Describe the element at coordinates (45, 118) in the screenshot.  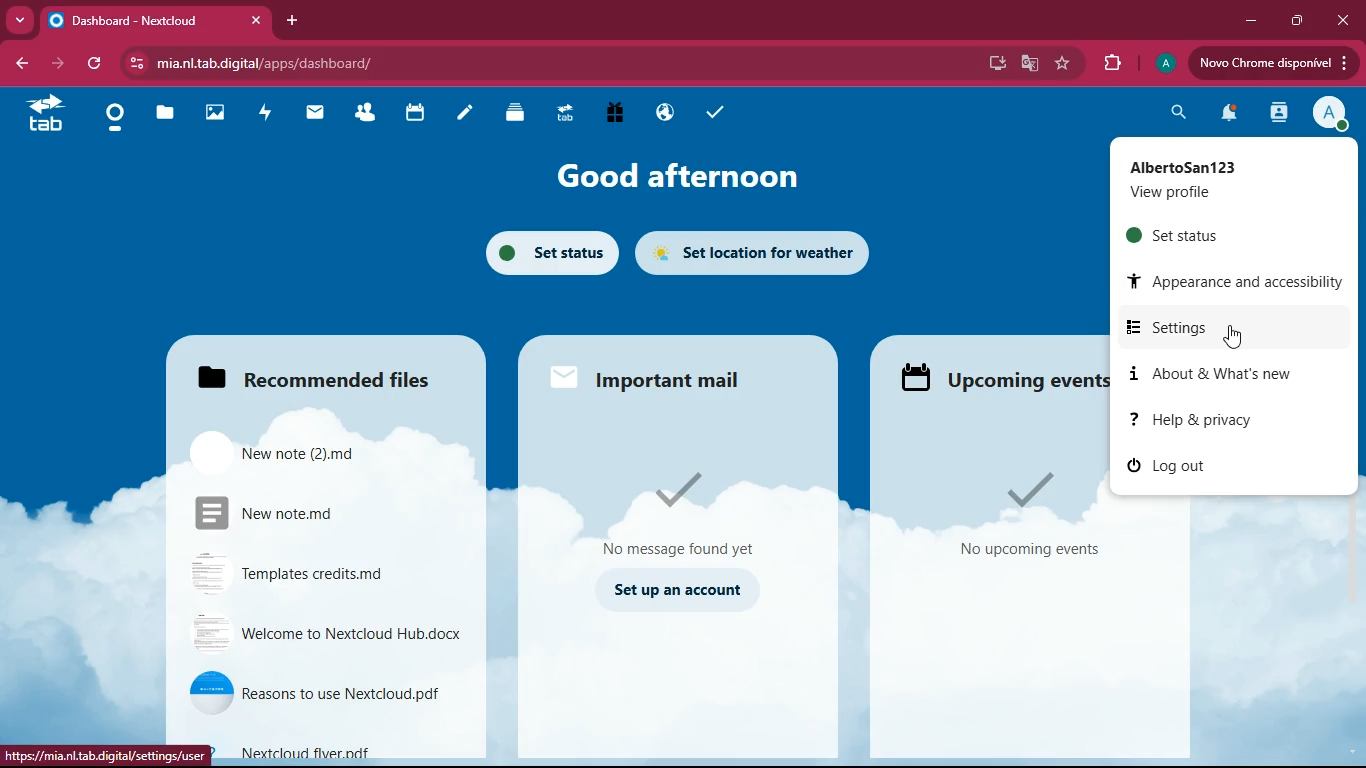
I see `tab` at that location.